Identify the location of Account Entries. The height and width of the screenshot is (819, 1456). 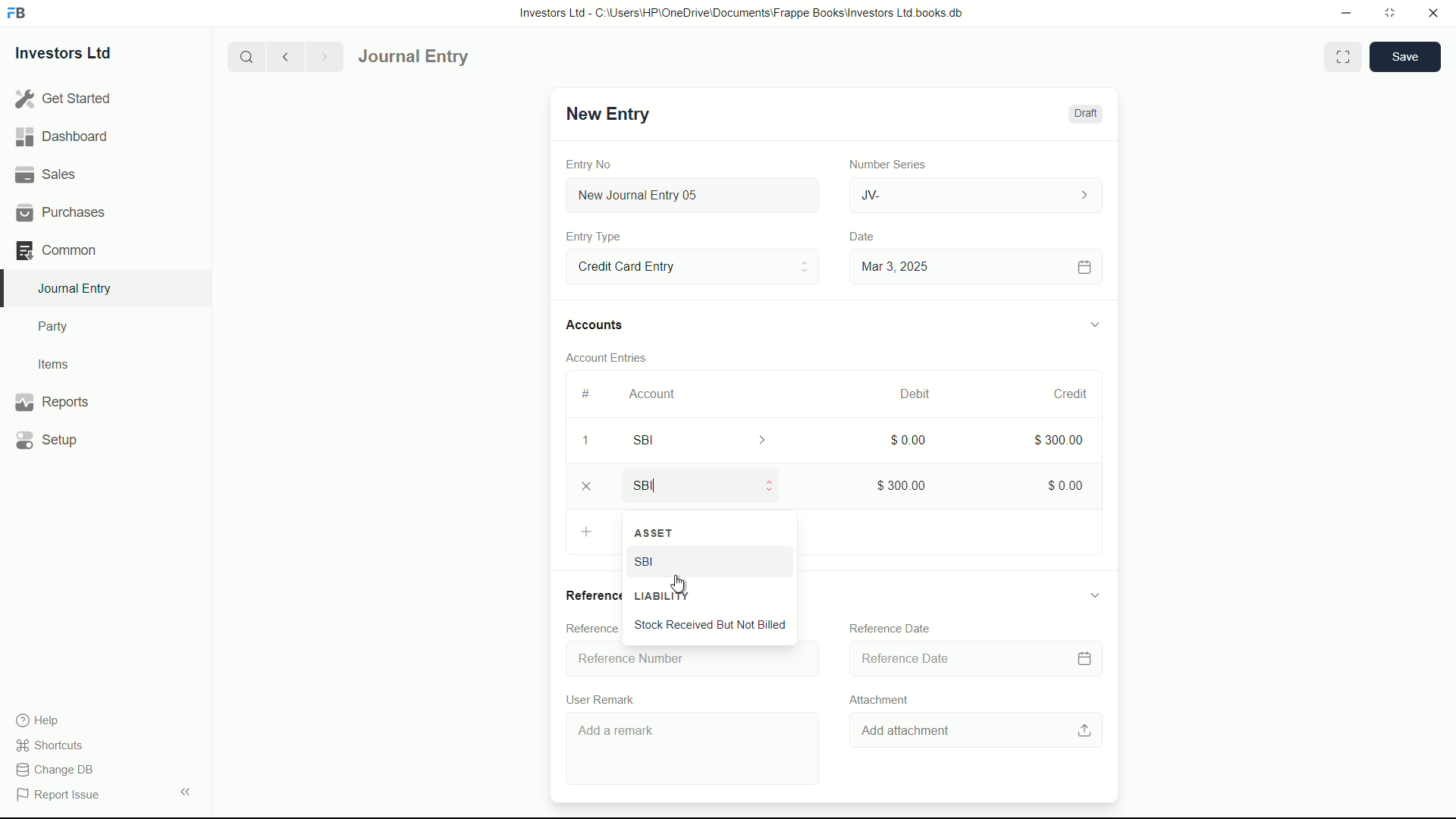
(613, 355).